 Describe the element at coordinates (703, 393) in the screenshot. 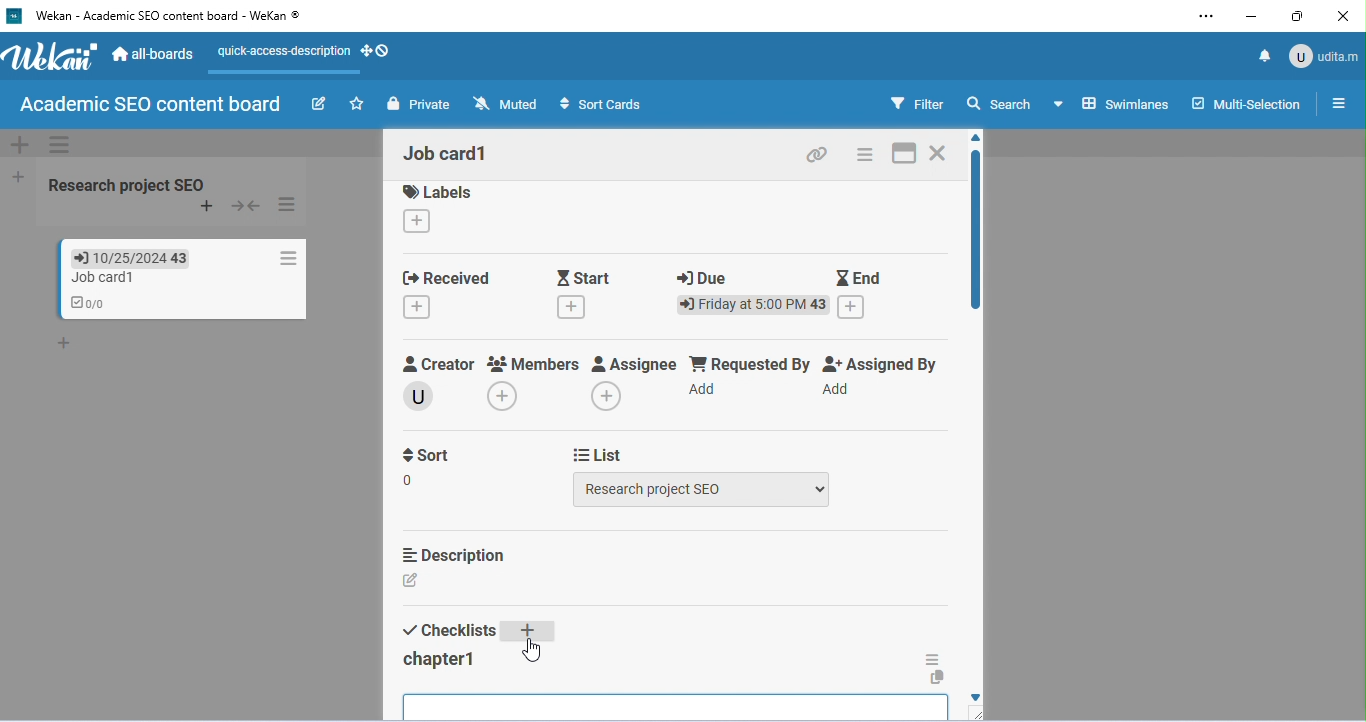

I see `add requester` at that location.